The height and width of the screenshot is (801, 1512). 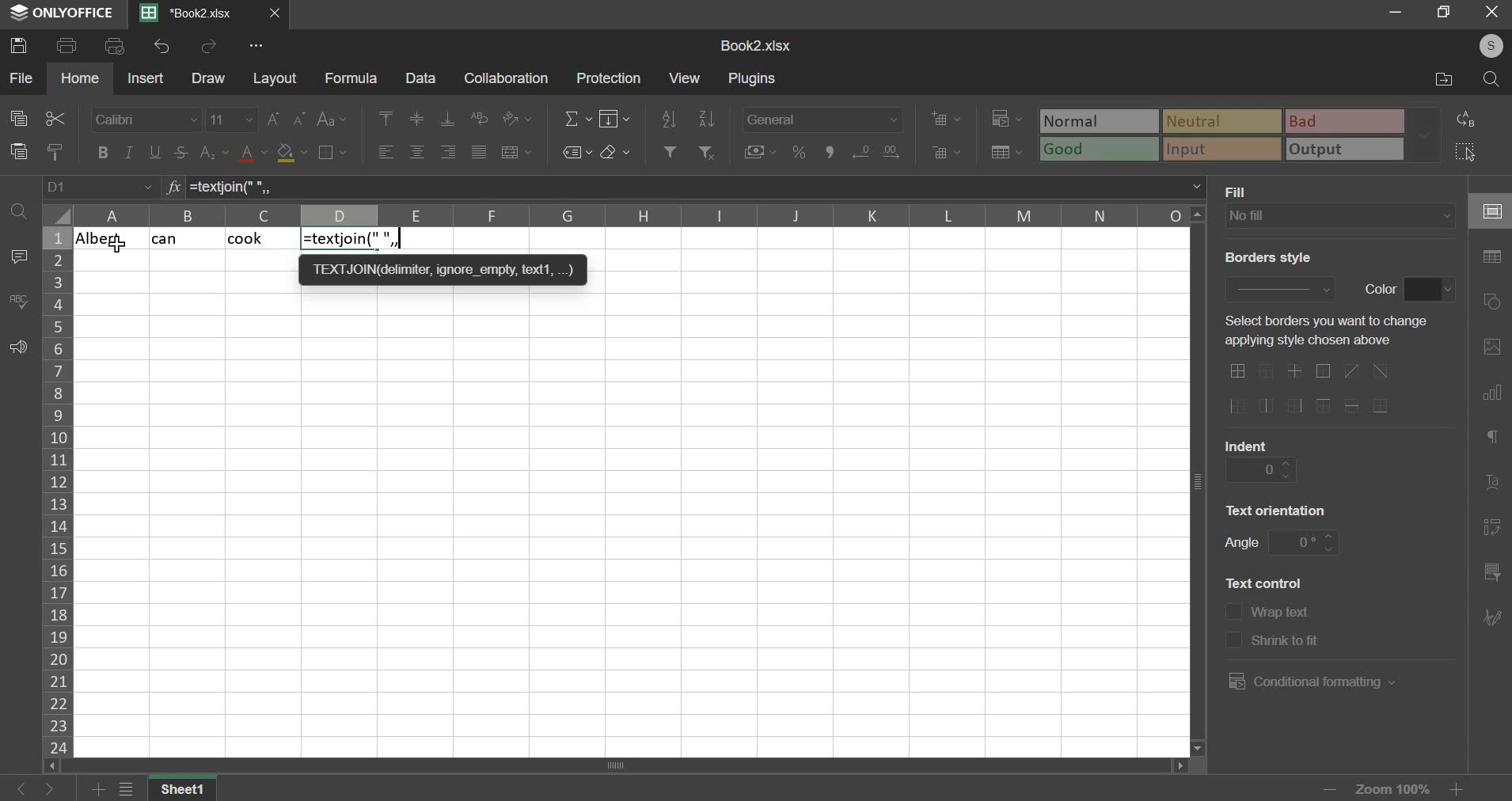 I want to click on formula, so click(x=171, y=188).